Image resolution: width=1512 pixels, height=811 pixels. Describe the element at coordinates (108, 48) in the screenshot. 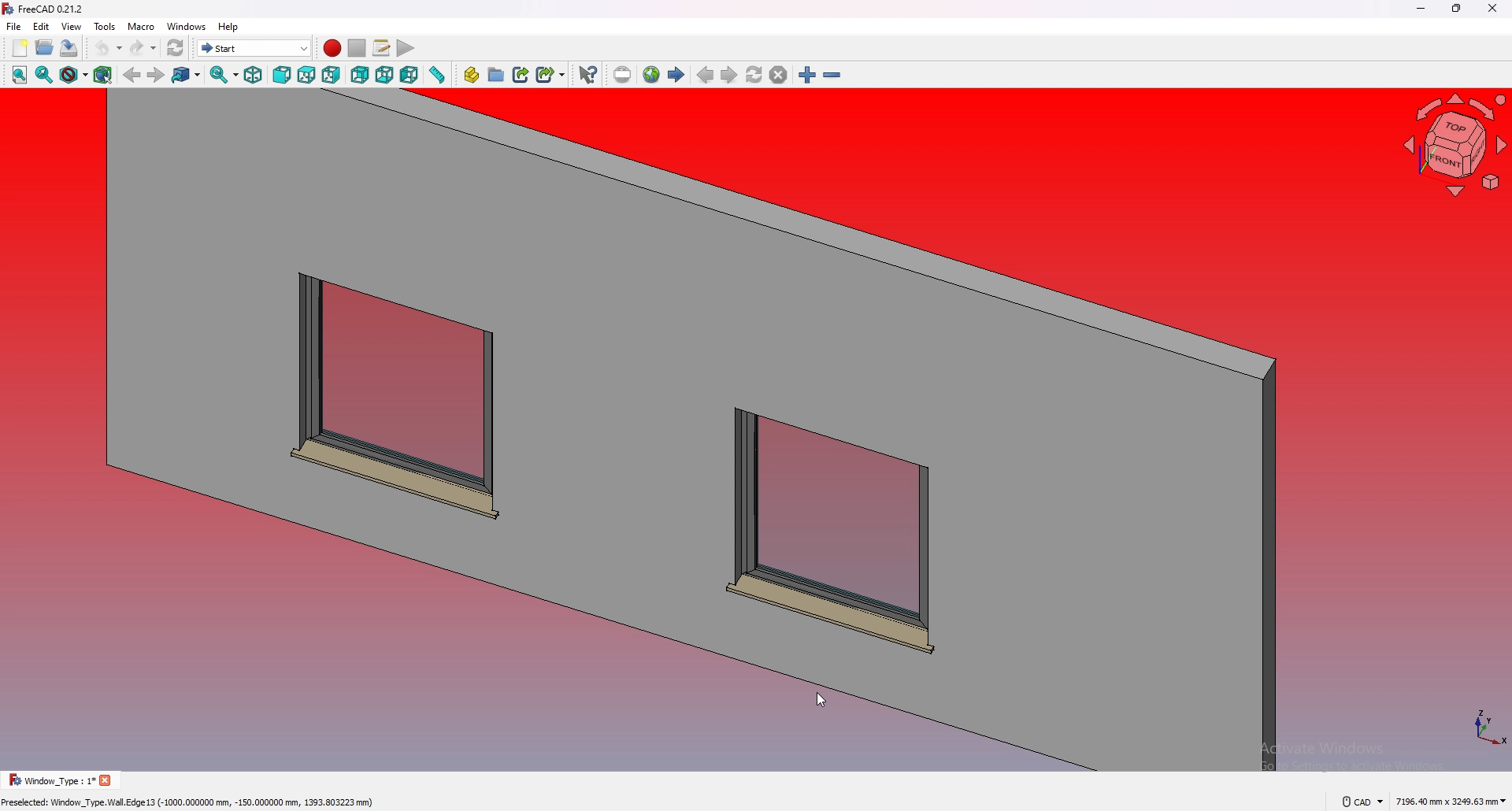

I see `undo` at that location.